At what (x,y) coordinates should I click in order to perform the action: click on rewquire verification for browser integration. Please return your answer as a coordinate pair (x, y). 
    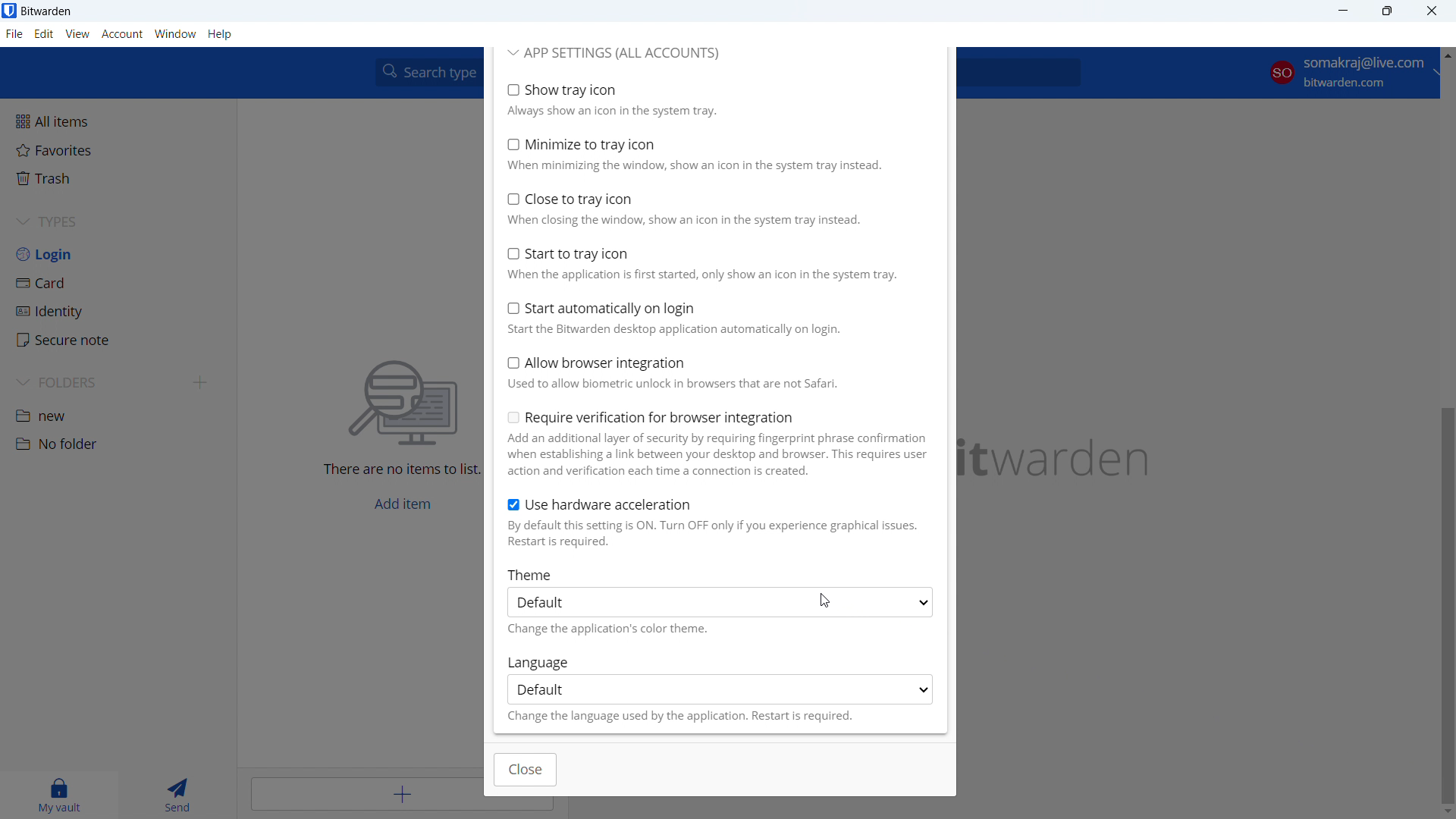
    Looking at the image, I should click on (717, 444).